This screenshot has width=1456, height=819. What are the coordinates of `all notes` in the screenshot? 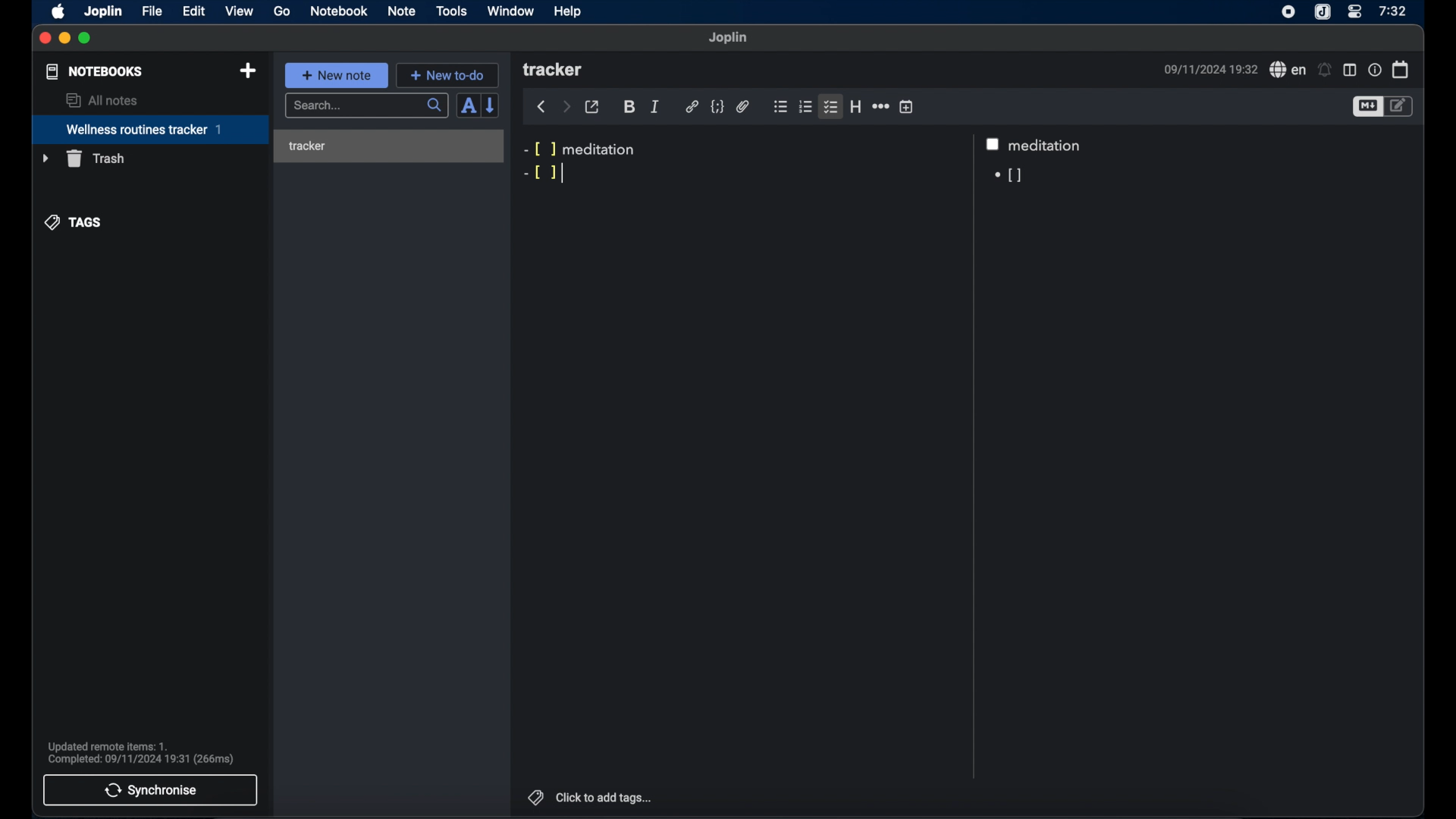 It's located at (101, 100).